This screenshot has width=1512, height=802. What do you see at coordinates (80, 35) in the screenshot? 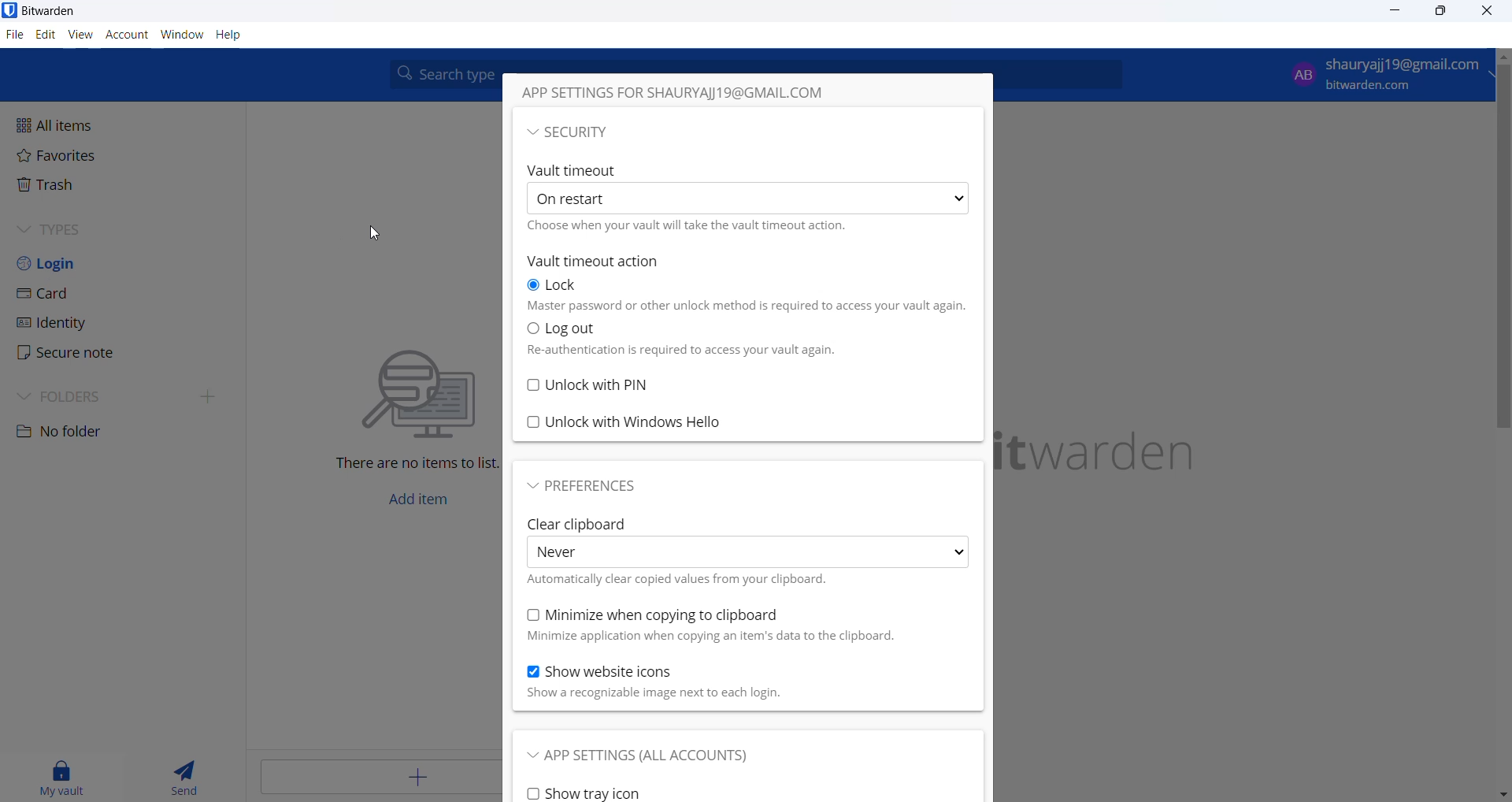
I see `view` at bounding box center [80, 35].